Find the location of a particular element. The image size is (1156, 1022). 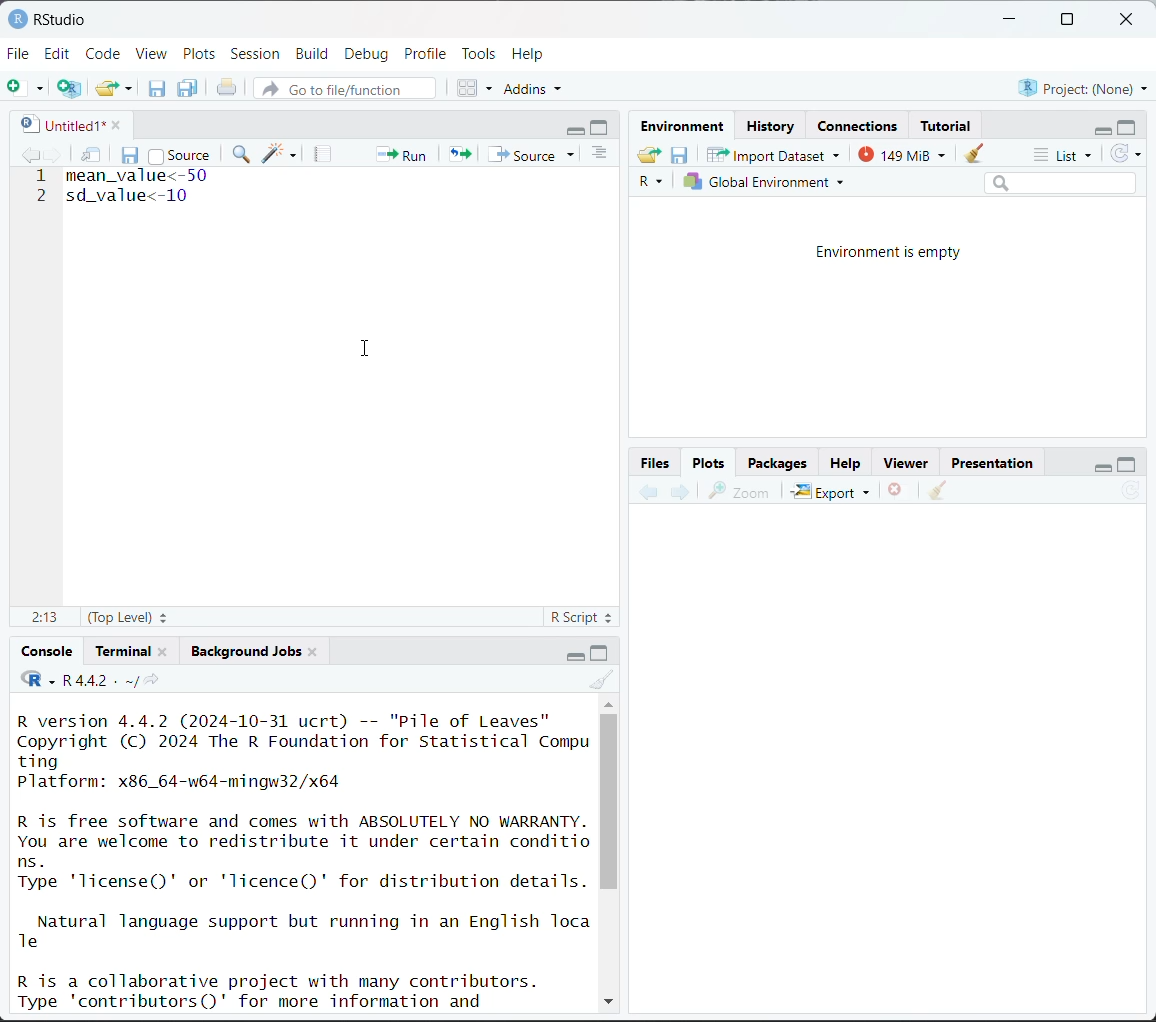

open an existing file is located at coordinates (107, 85).